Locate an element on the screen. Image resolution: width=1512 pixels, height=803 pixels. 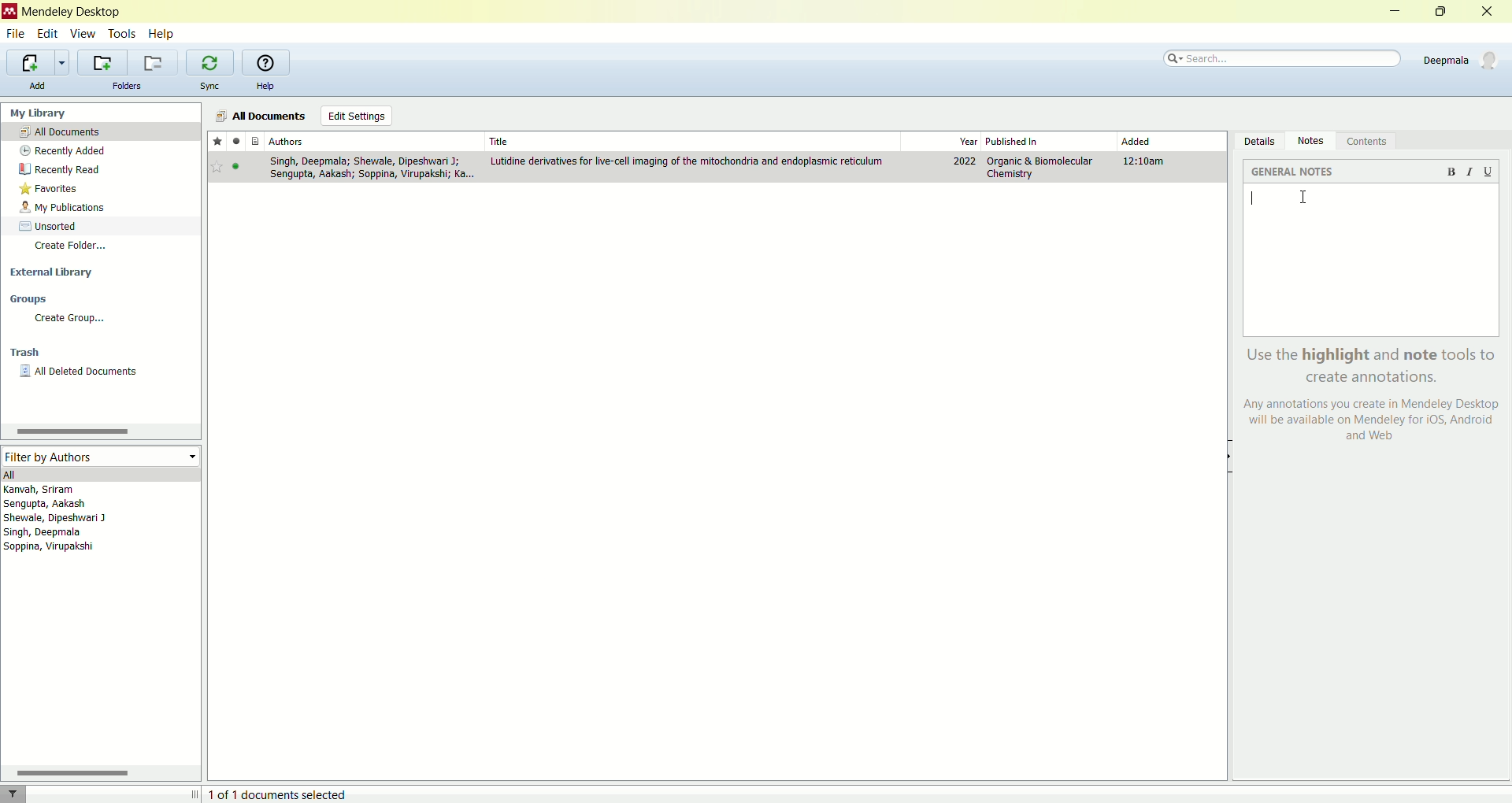
Scrollbar is located at coordinates (70, 432).